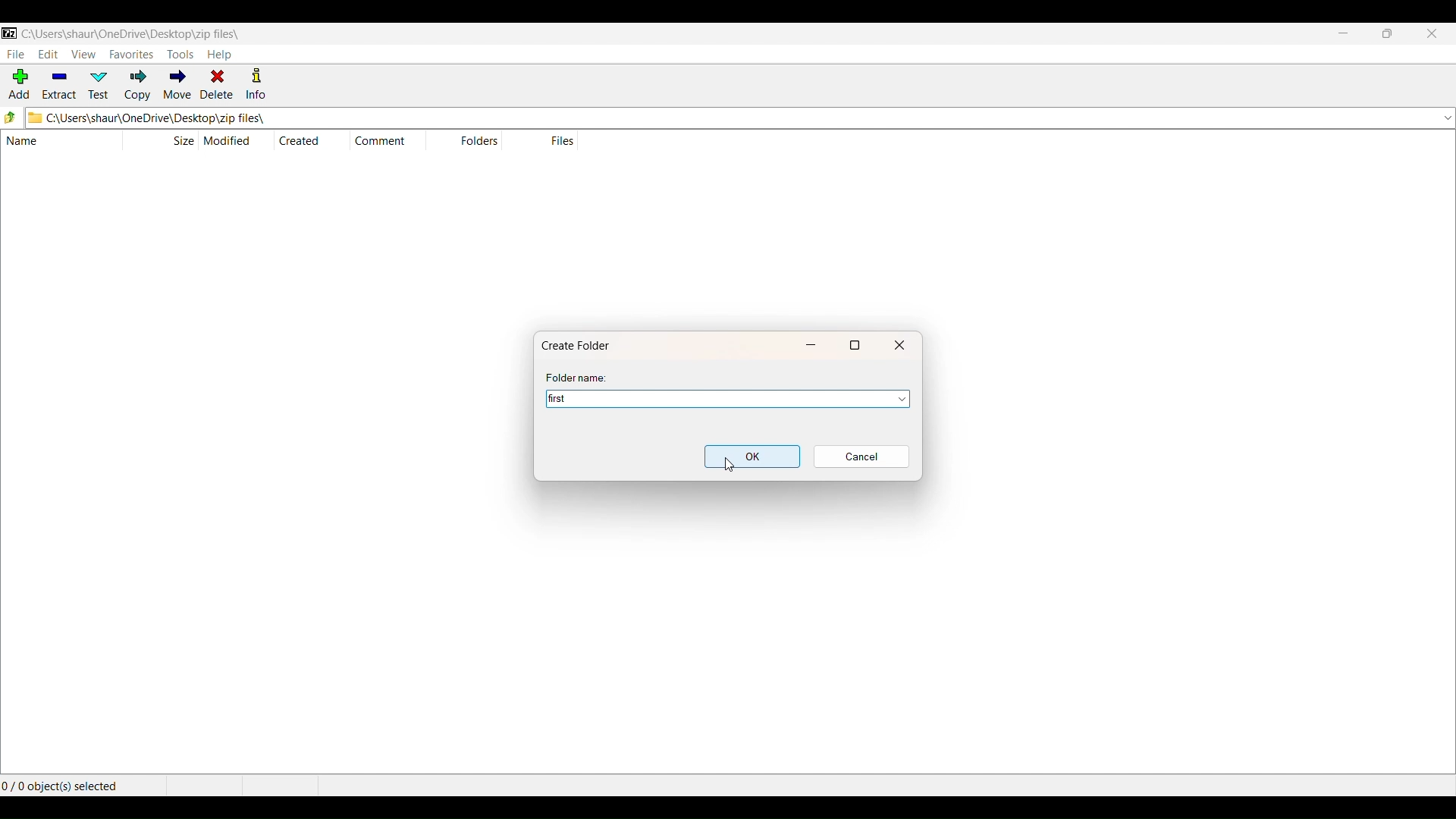 The width and height of the screenshot is (1456, 819). Describe the element at coordinates (752, 457) in the screenshot. I see `ok` at that location.